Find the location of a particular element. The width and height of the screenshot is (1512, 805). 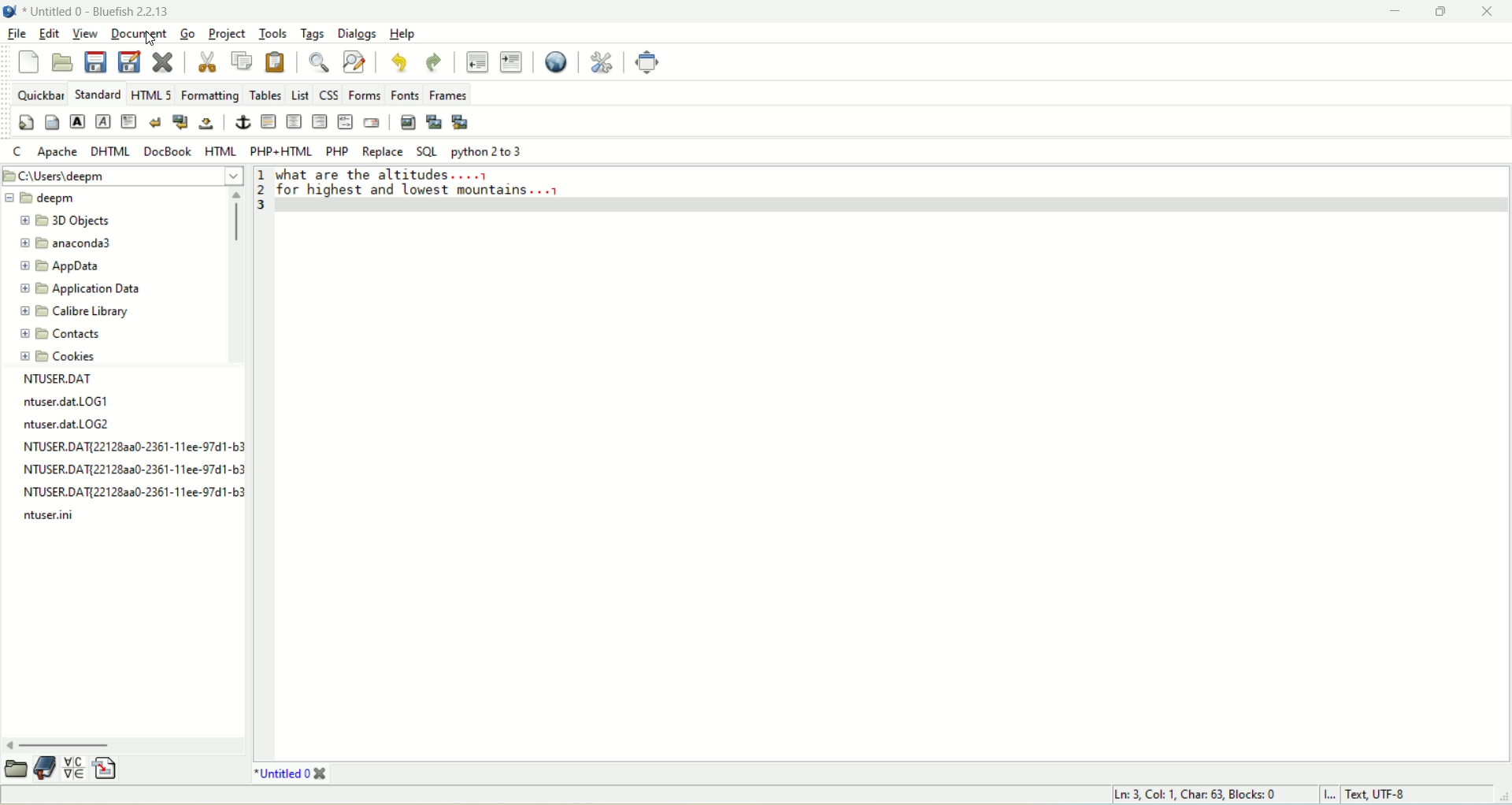

dialogs is located at coordinates (354, 34).